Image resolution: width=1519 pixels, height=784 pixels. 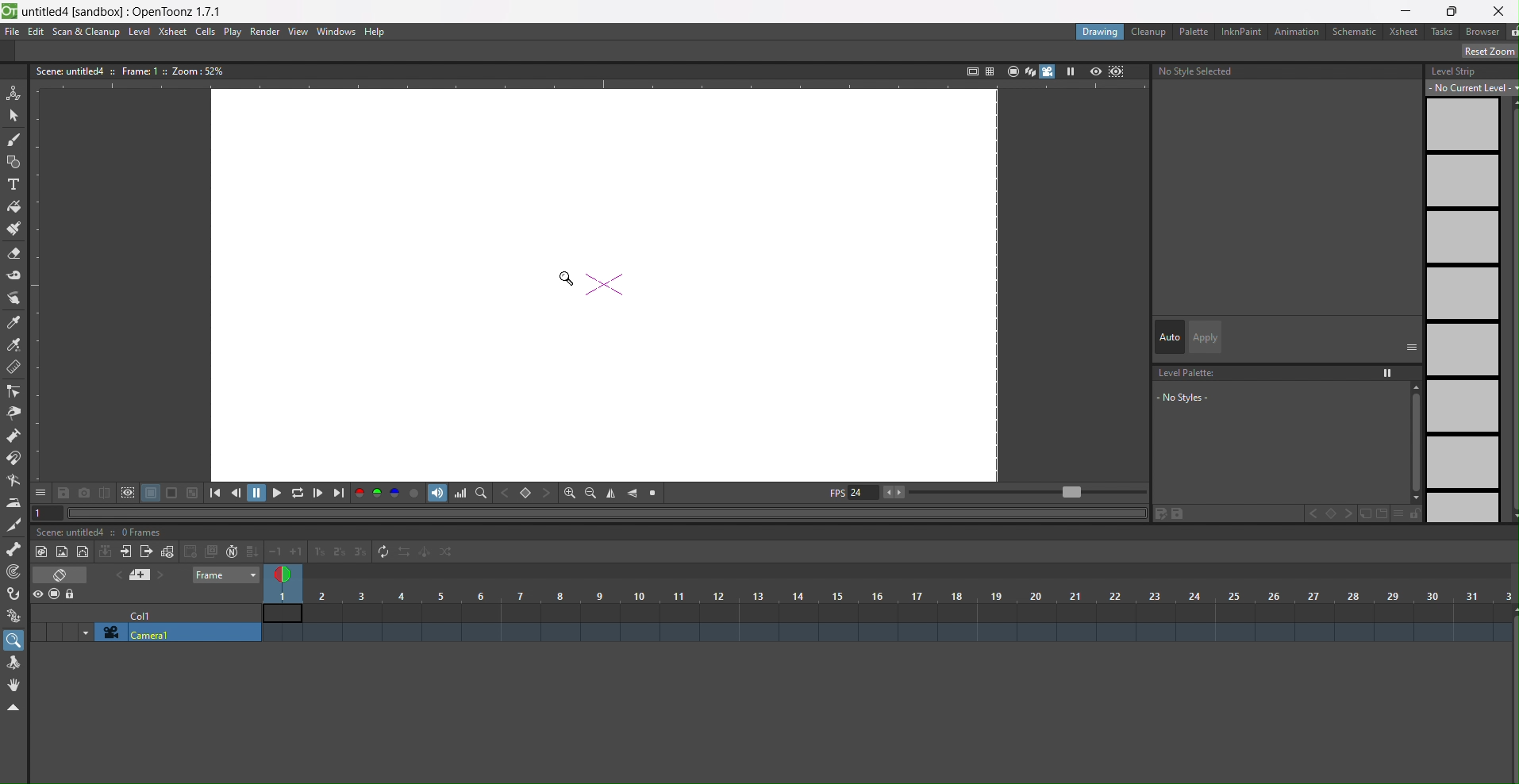 I want to click on view, so click(x=298, y=32).